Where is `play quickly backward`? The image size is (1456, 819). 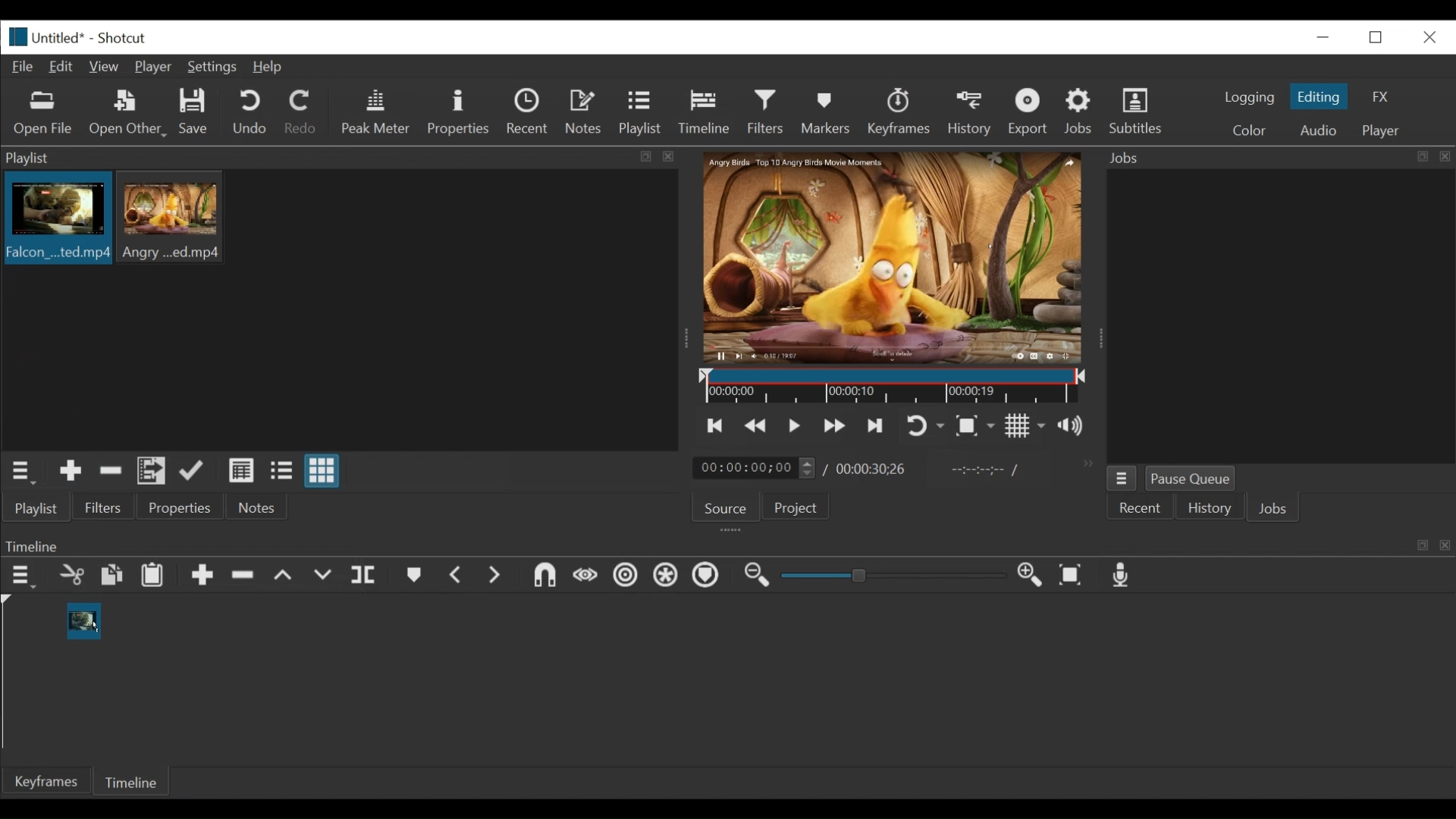
play quickly backward is located at coordinates (756, 426).